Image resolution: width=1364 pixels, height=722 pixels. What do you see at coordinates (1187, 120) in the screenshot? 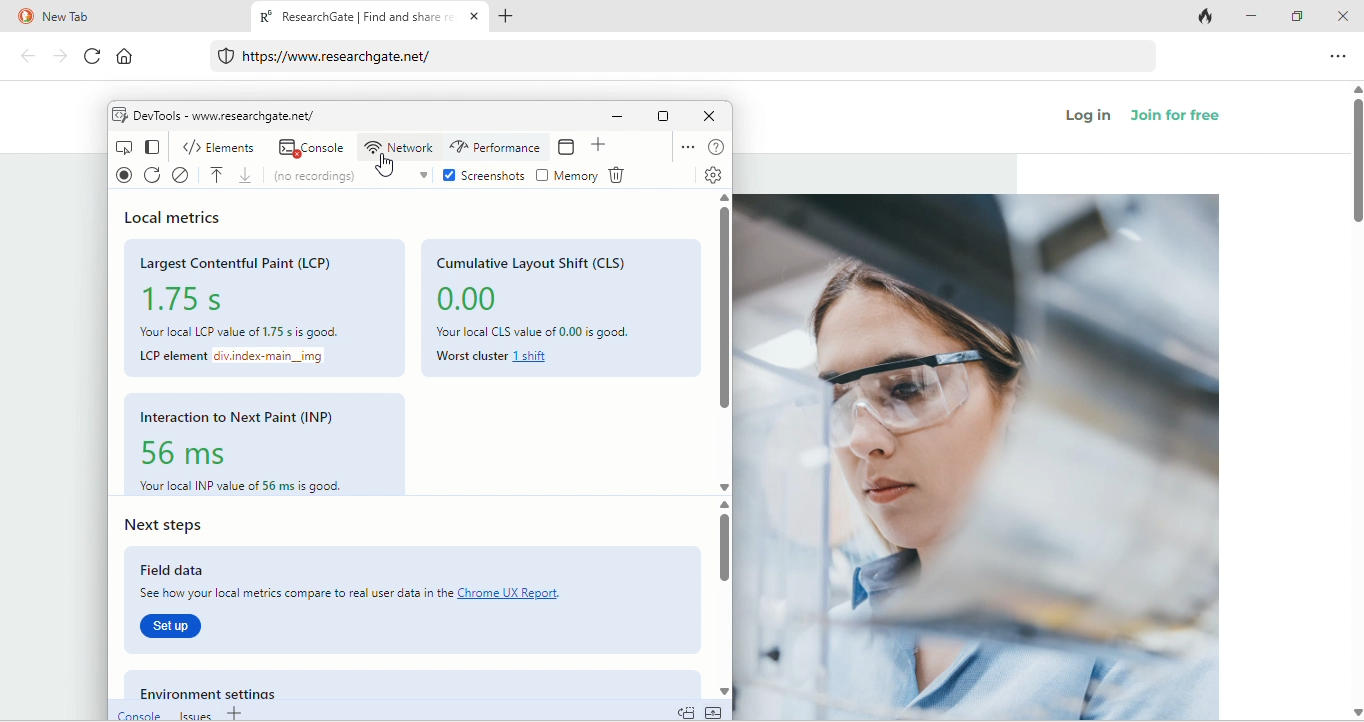
I see `join for free` at bounding box center [1187, 120].